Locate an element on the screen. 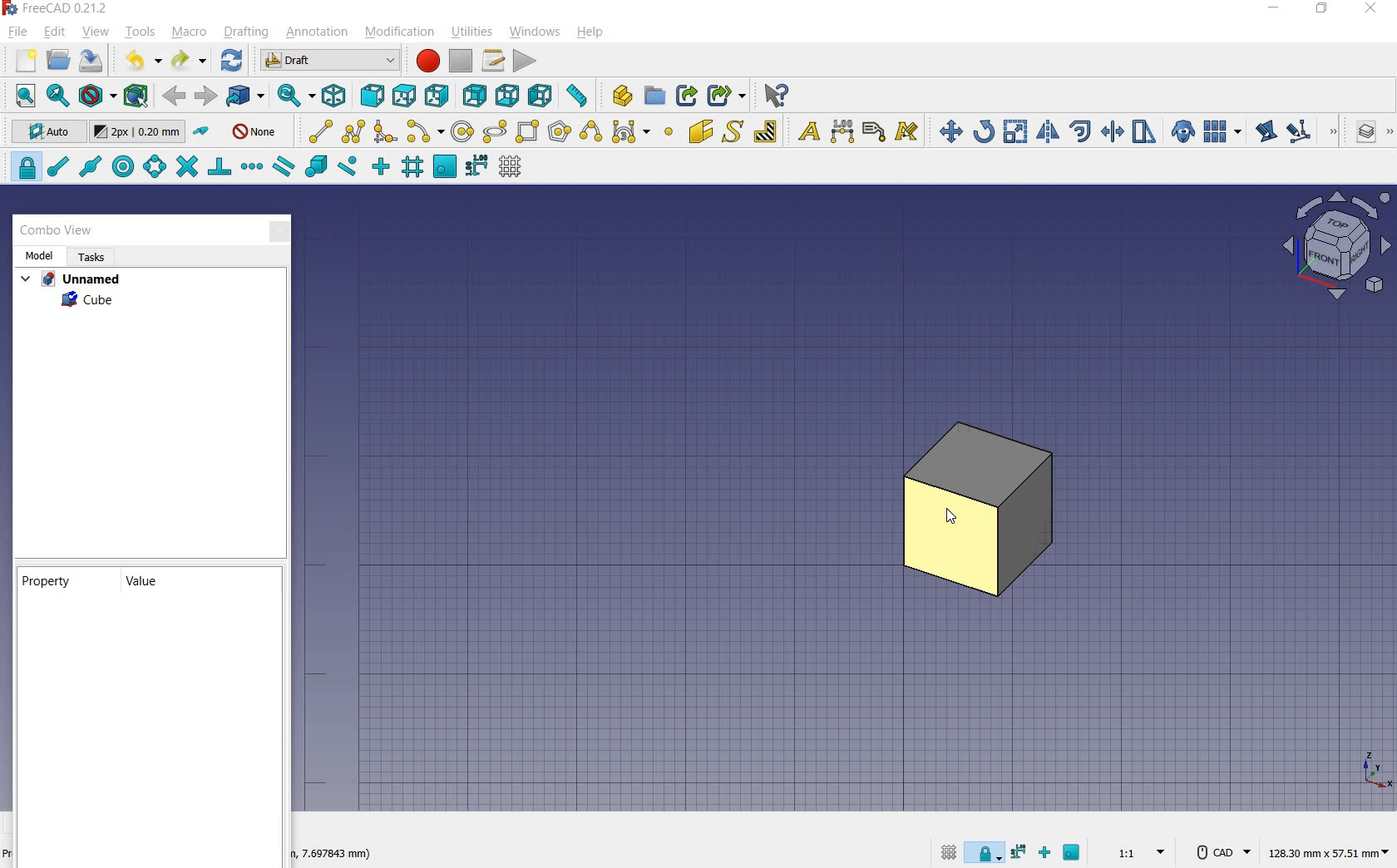  unnamed is located at coordinates (70, 279).